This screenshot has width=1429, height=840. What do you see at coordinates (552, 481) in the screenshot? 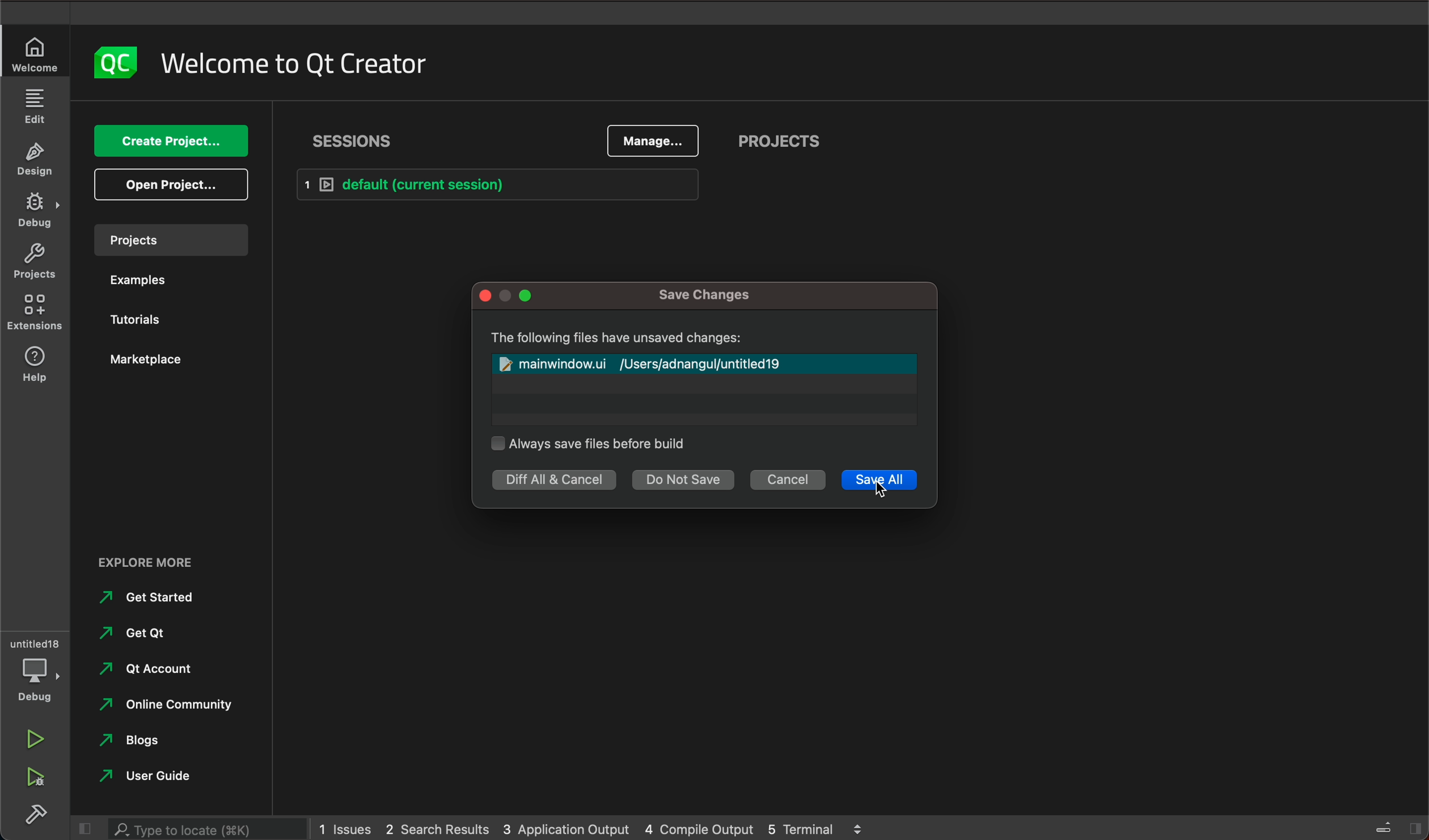
I see `diff and cancel` at bounding box center [552, 481].